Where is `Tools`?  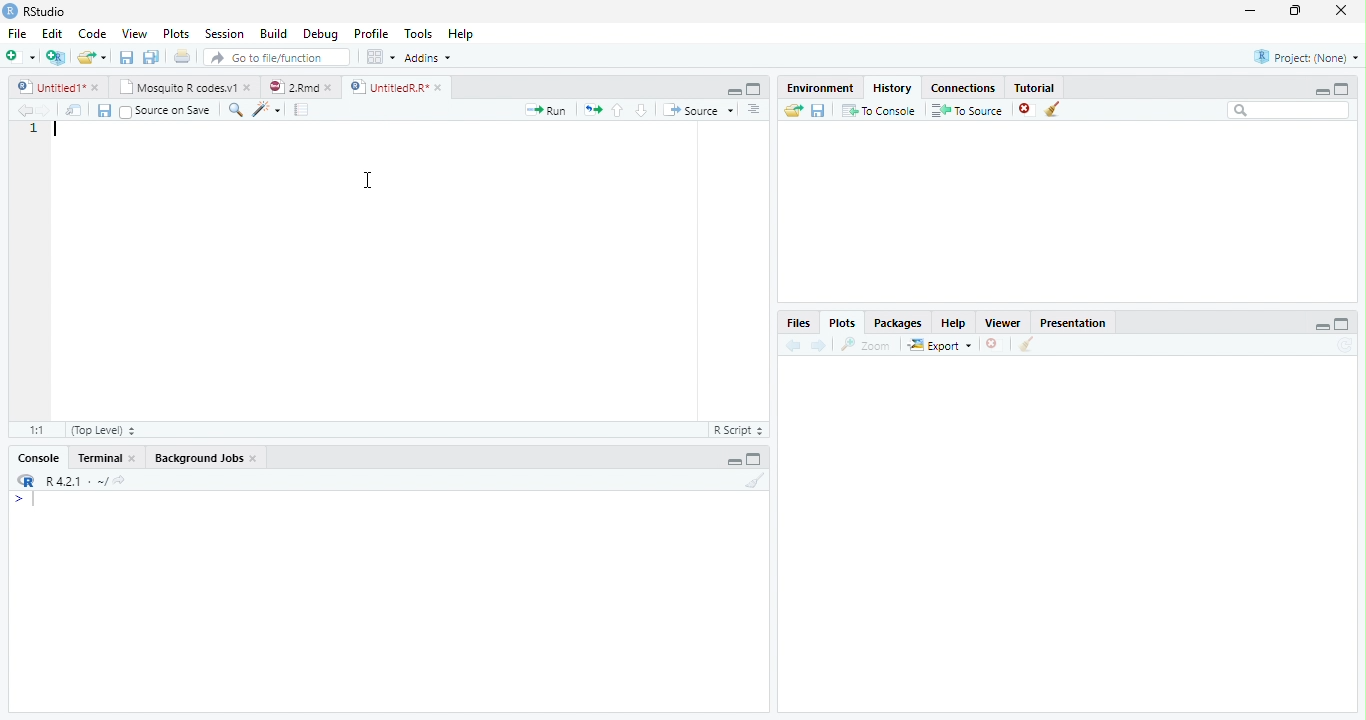 Tools is located at coordinates (419, 34).